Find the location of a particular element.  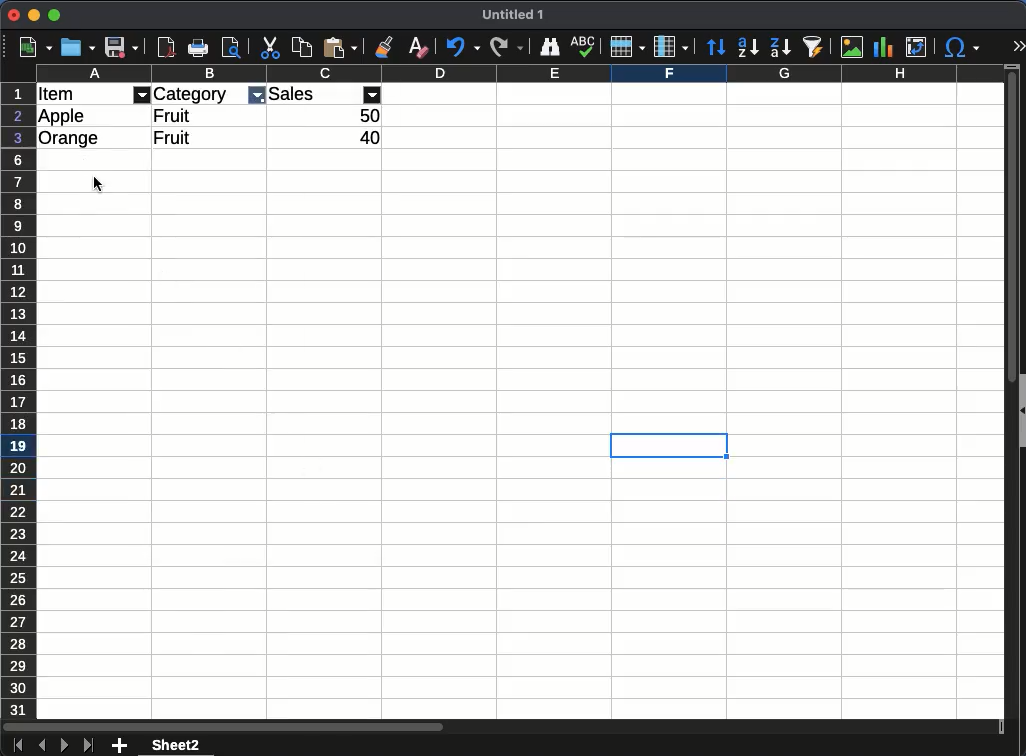

row is located at coordinates (625, 49).